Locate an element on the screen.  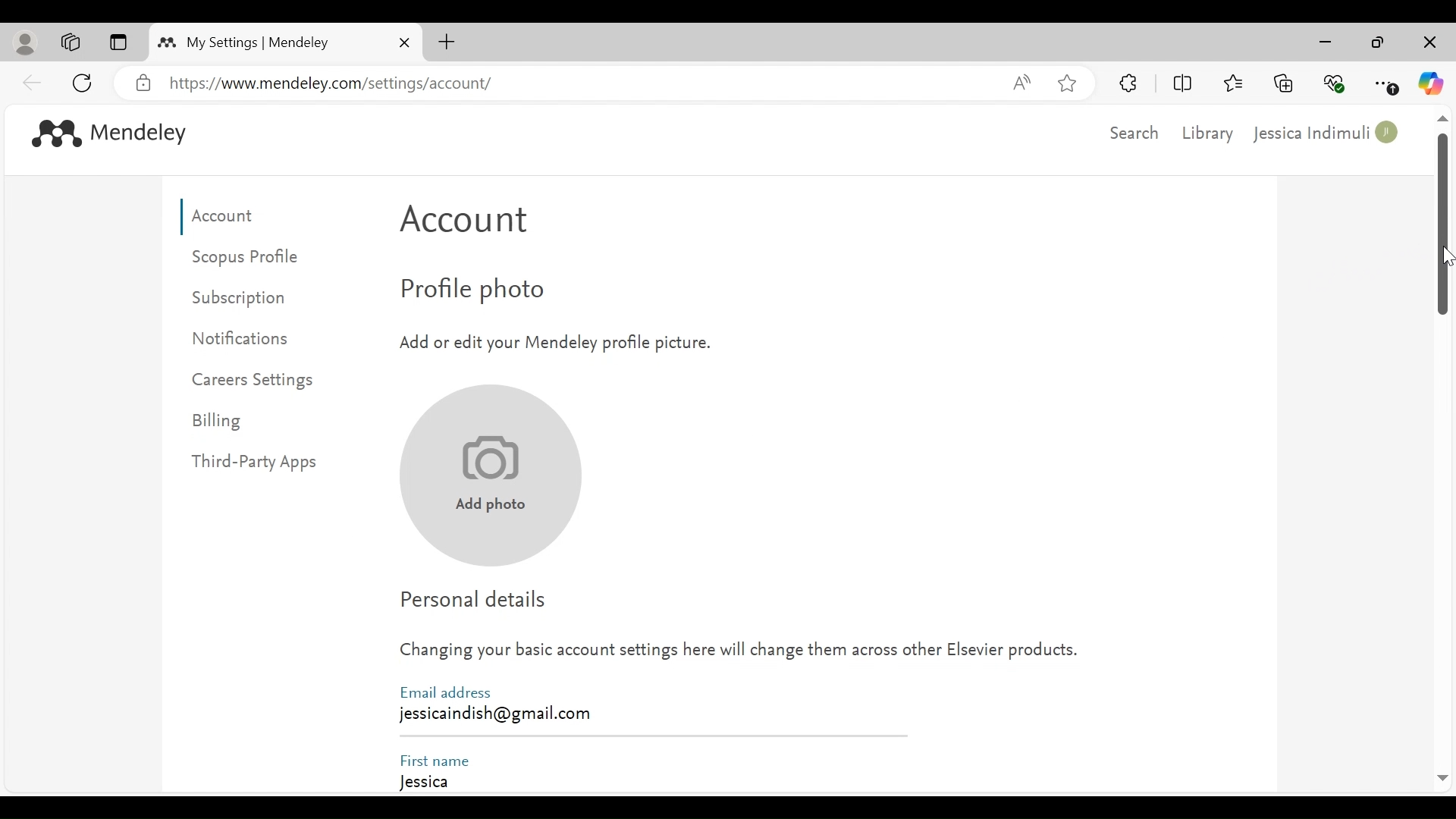
Search  is located at coordinates (1131, 133).